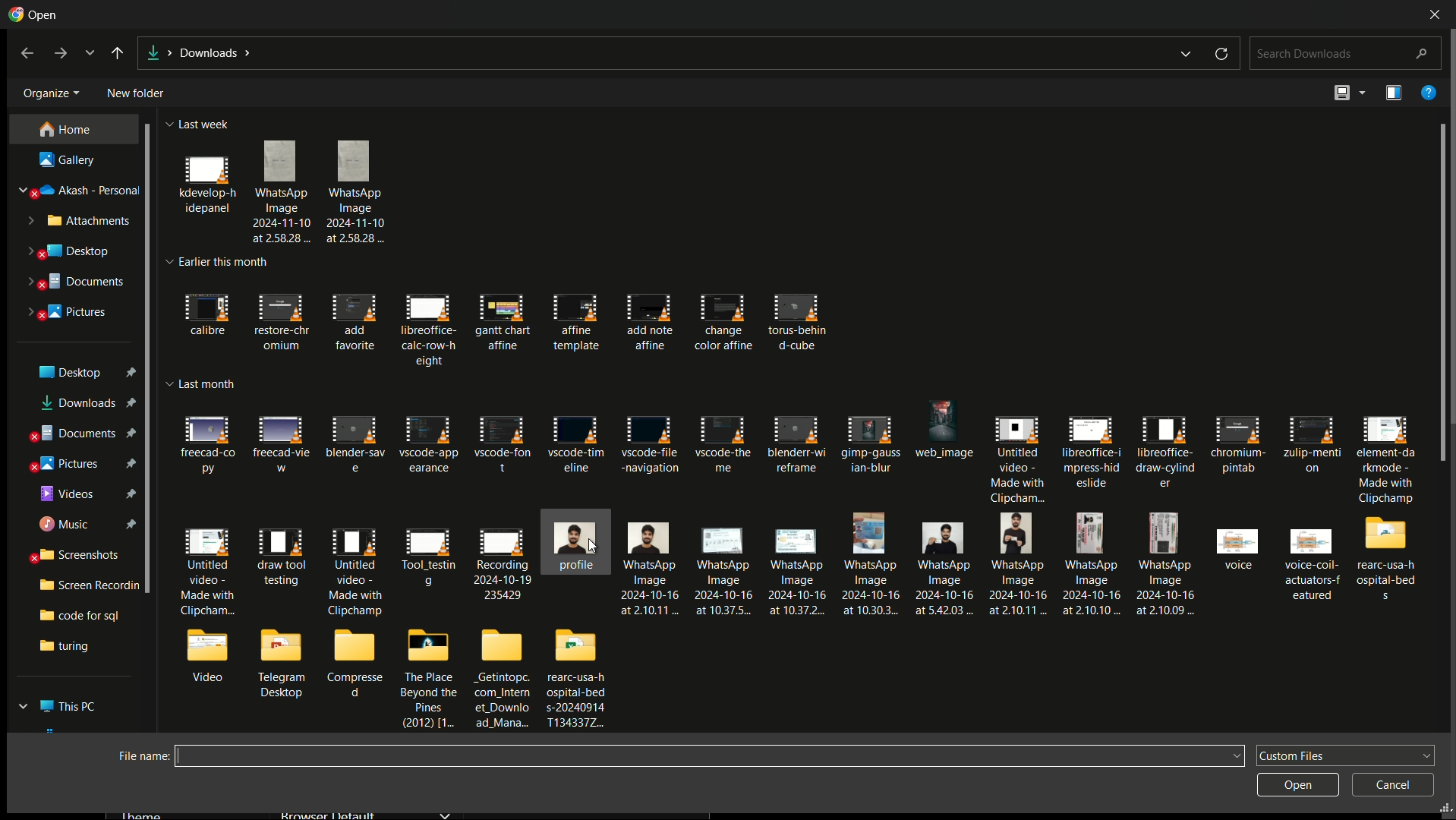 This screenshot has height=820, width=1456. I want to click on forward, so click(61, 55).